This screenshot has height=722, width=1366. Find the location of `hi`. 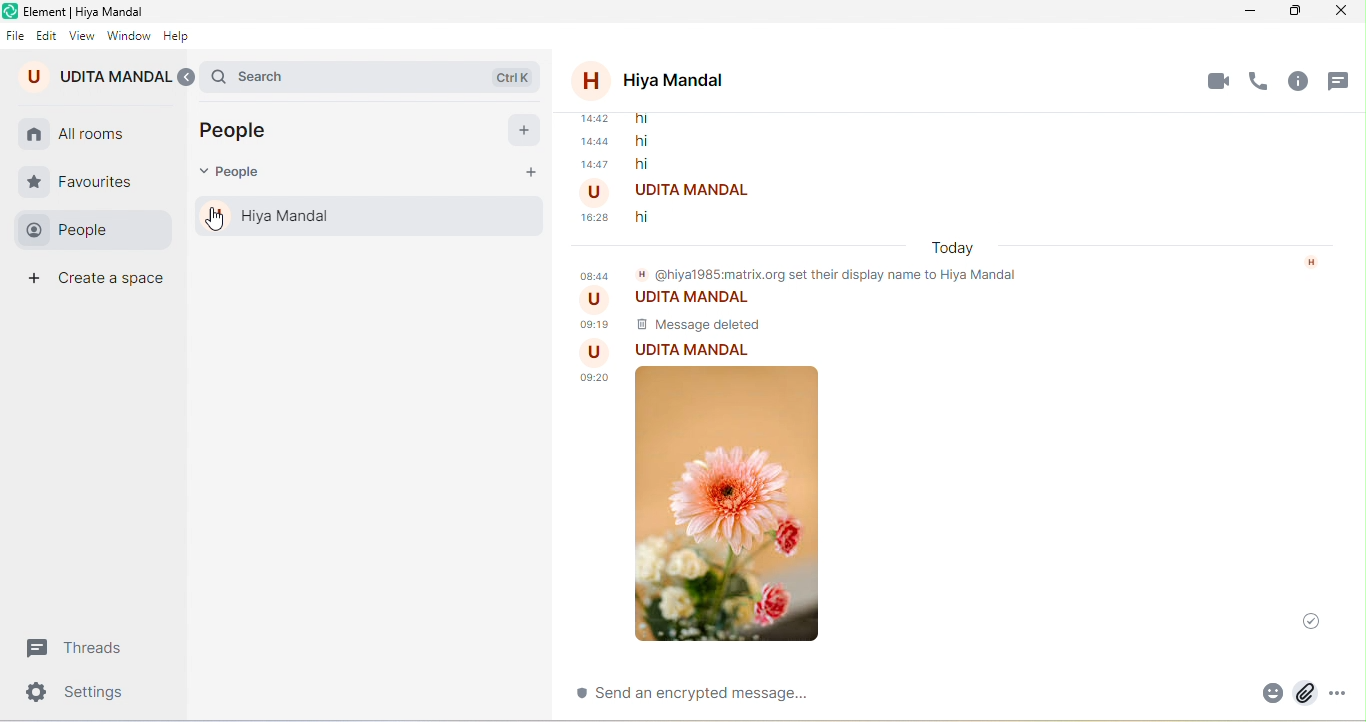

hi is located at coordinates (646, 164).